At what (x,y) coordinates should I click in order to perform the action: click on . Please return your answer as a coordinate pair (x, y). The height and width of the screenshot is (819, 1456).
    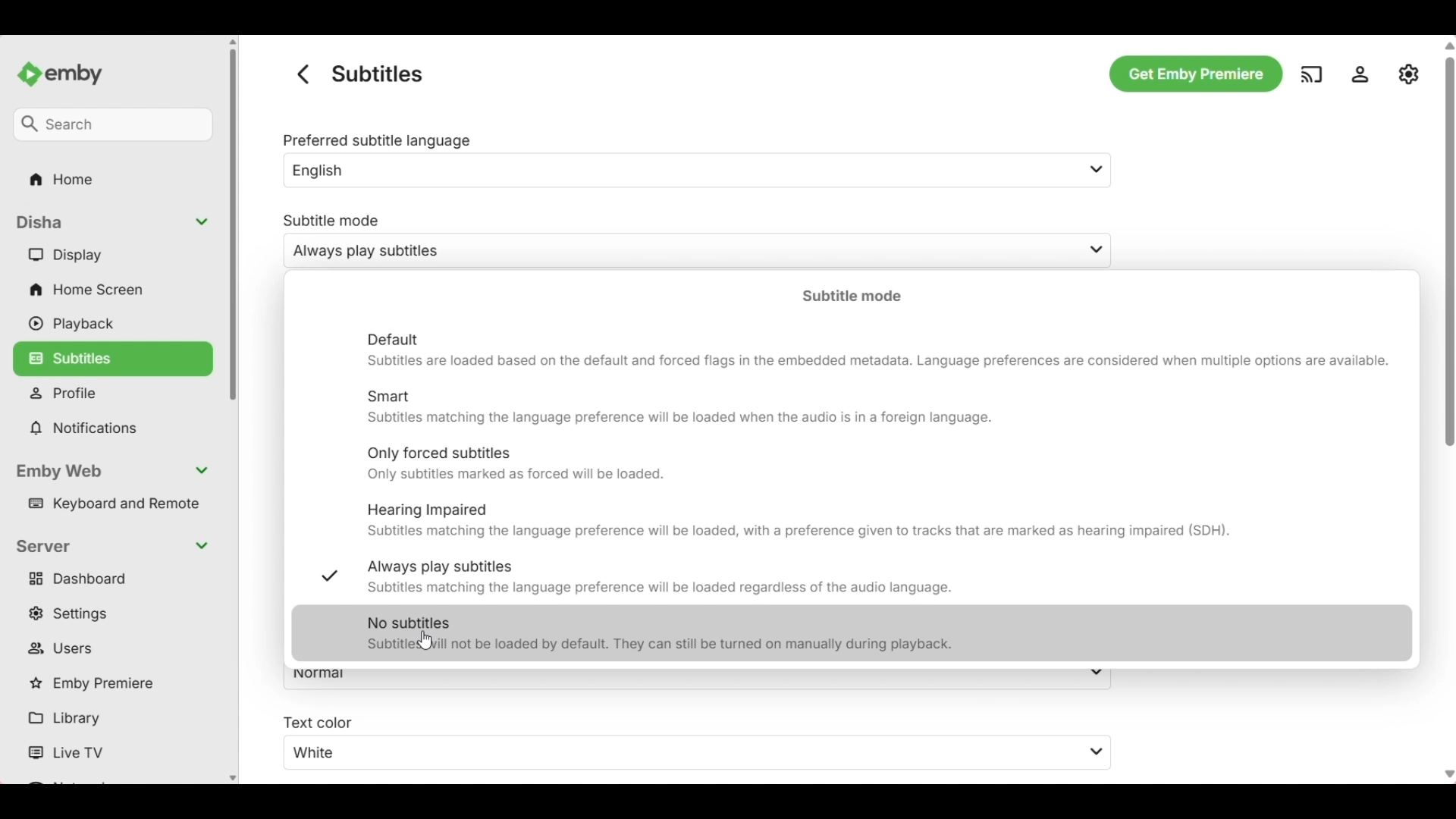
    Looking at the image, I should click on (315, 720).